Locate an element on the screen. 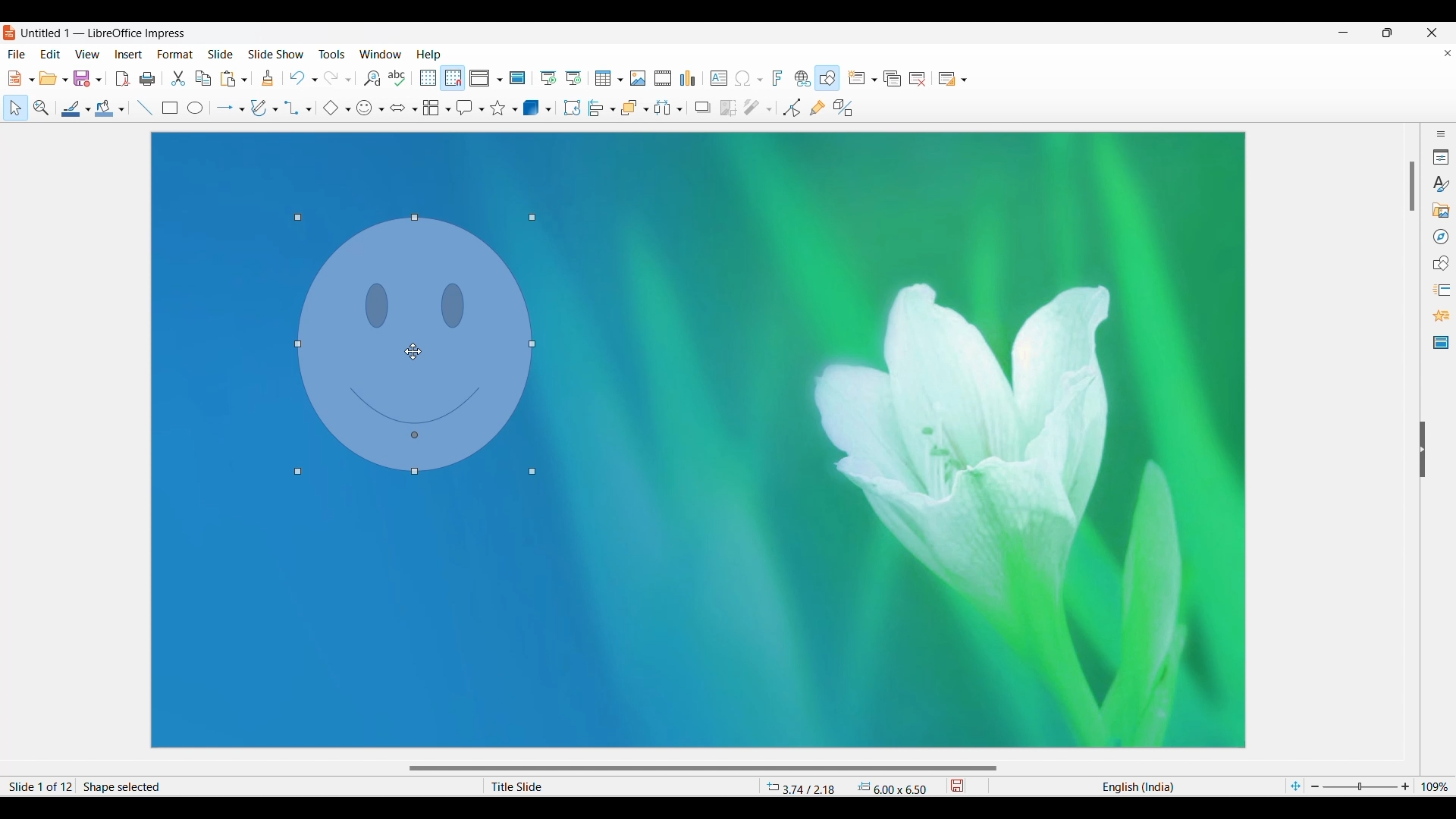  Hide right sidebar is located at coordinates (1422, 450).